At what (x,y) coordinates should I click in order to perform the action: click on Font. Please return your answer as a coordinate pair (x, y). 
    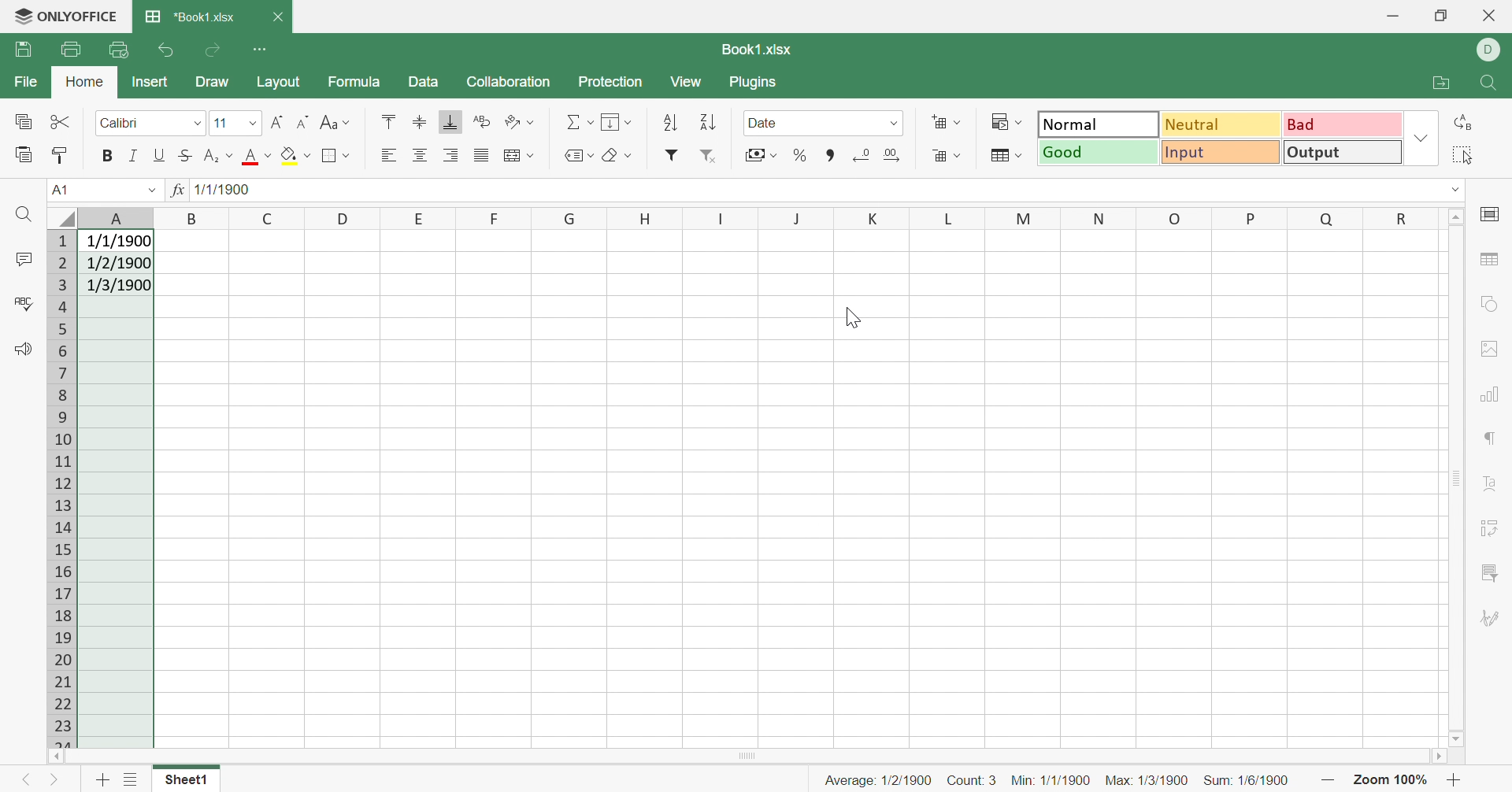
    Looking at the image, I should click on (255, 157).